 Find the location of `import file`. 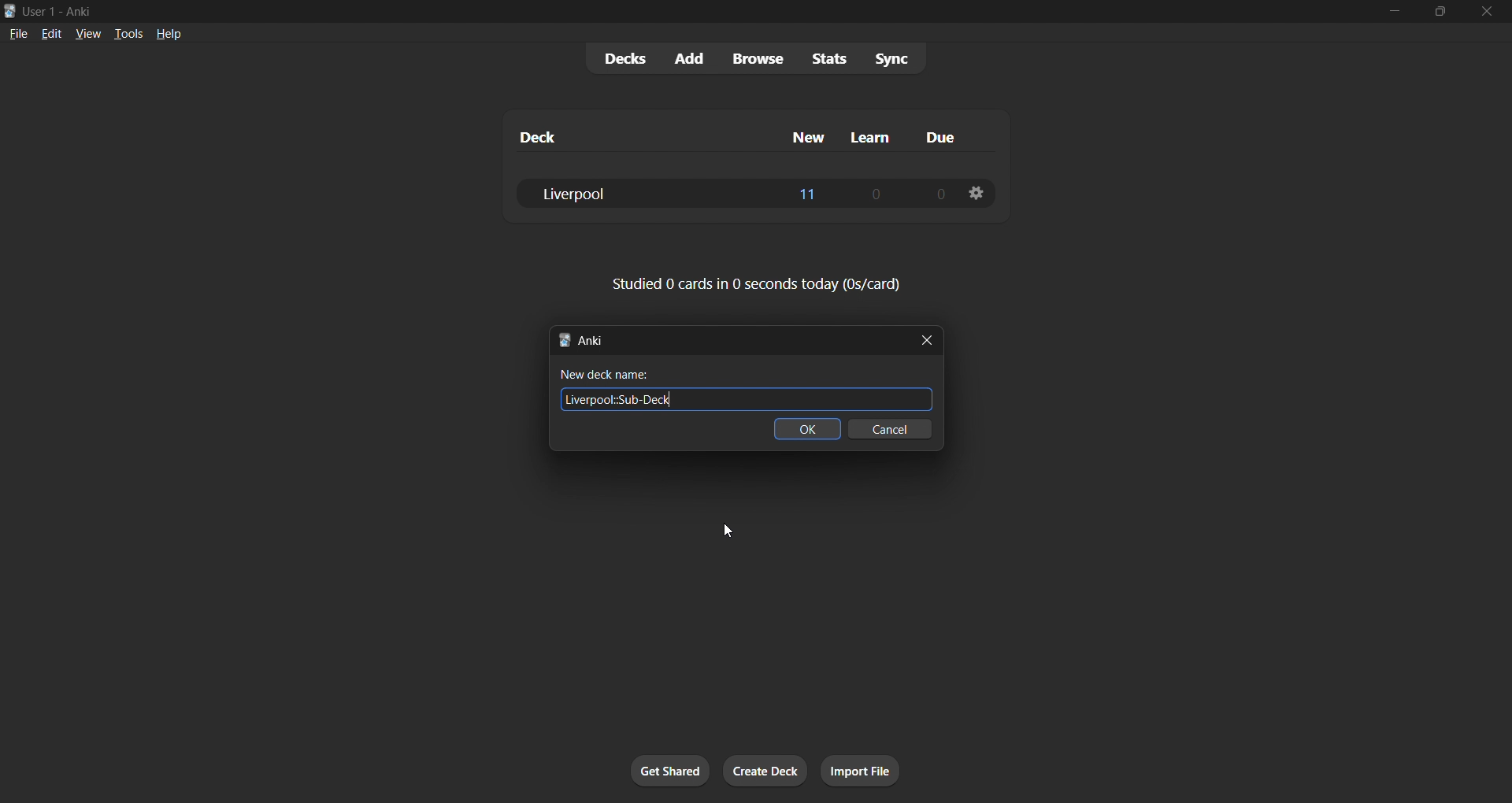

import file is located at coordinates (859, 772).